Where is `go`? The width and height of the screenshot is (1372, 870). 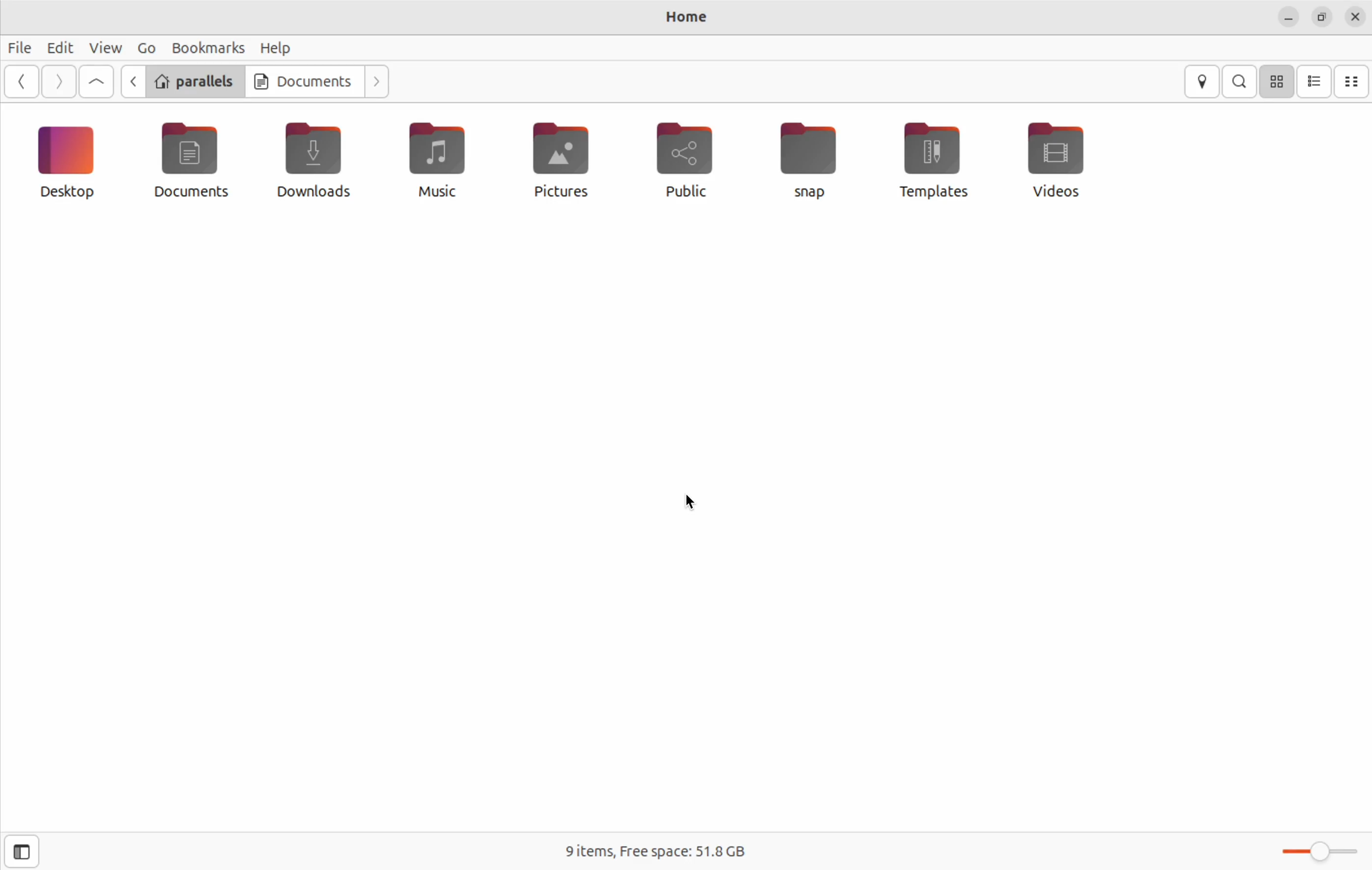
go is located at coordinates (146, 47).